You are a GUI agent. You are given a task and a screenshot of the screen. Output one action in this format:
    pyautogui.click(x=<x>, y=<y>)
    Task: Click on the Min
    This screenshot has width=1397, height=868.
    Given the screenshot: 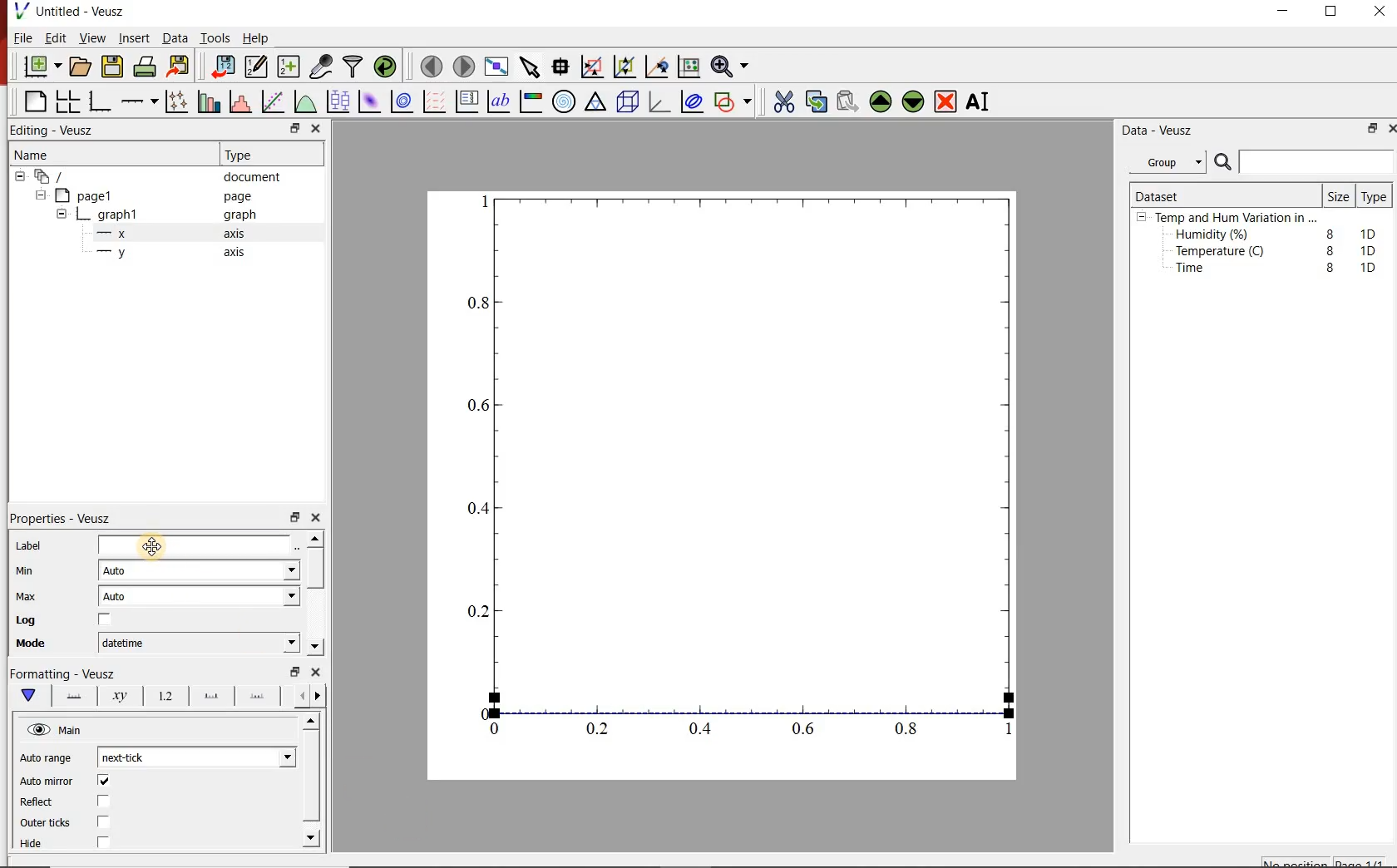 What is the action you would take?
    pyautogui.click(x=37, y=570)
    